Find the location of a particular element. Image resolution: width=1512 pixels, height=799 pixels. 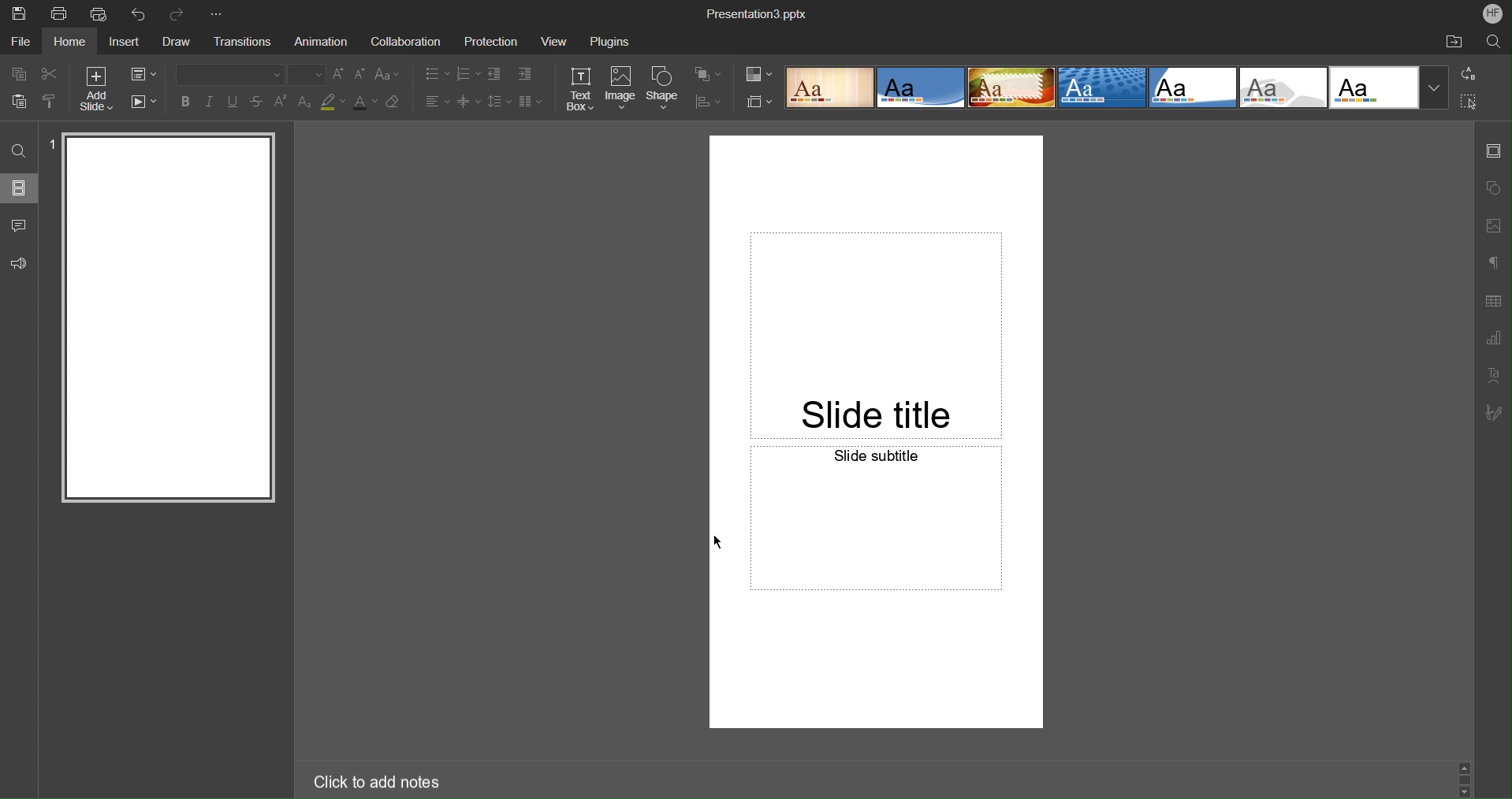

Alignment is located at coordinates (436, 101).